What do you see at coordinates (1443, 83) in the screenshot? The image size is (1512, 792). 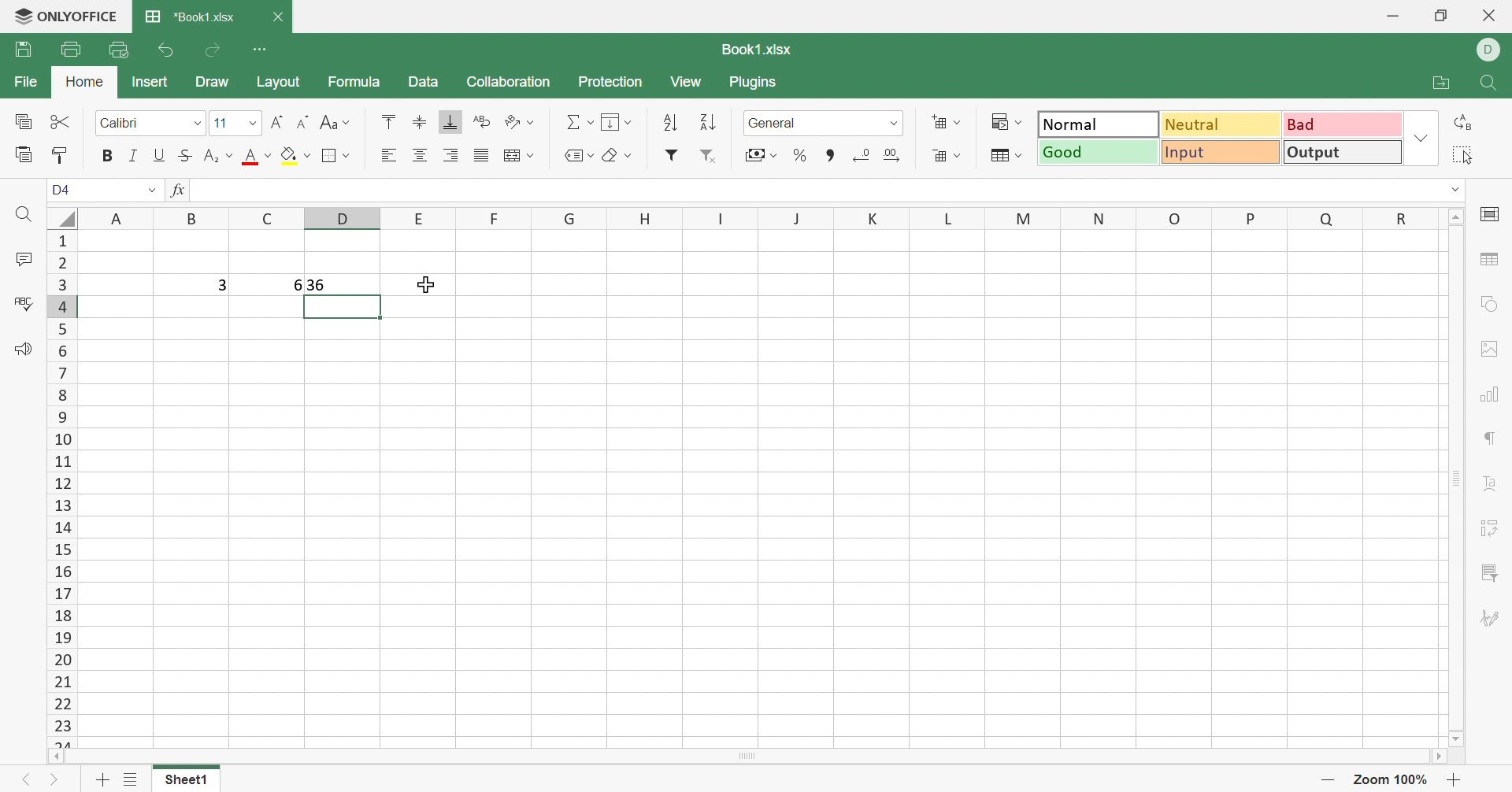 I see `Open file location` at bounding box center [1443, 83].